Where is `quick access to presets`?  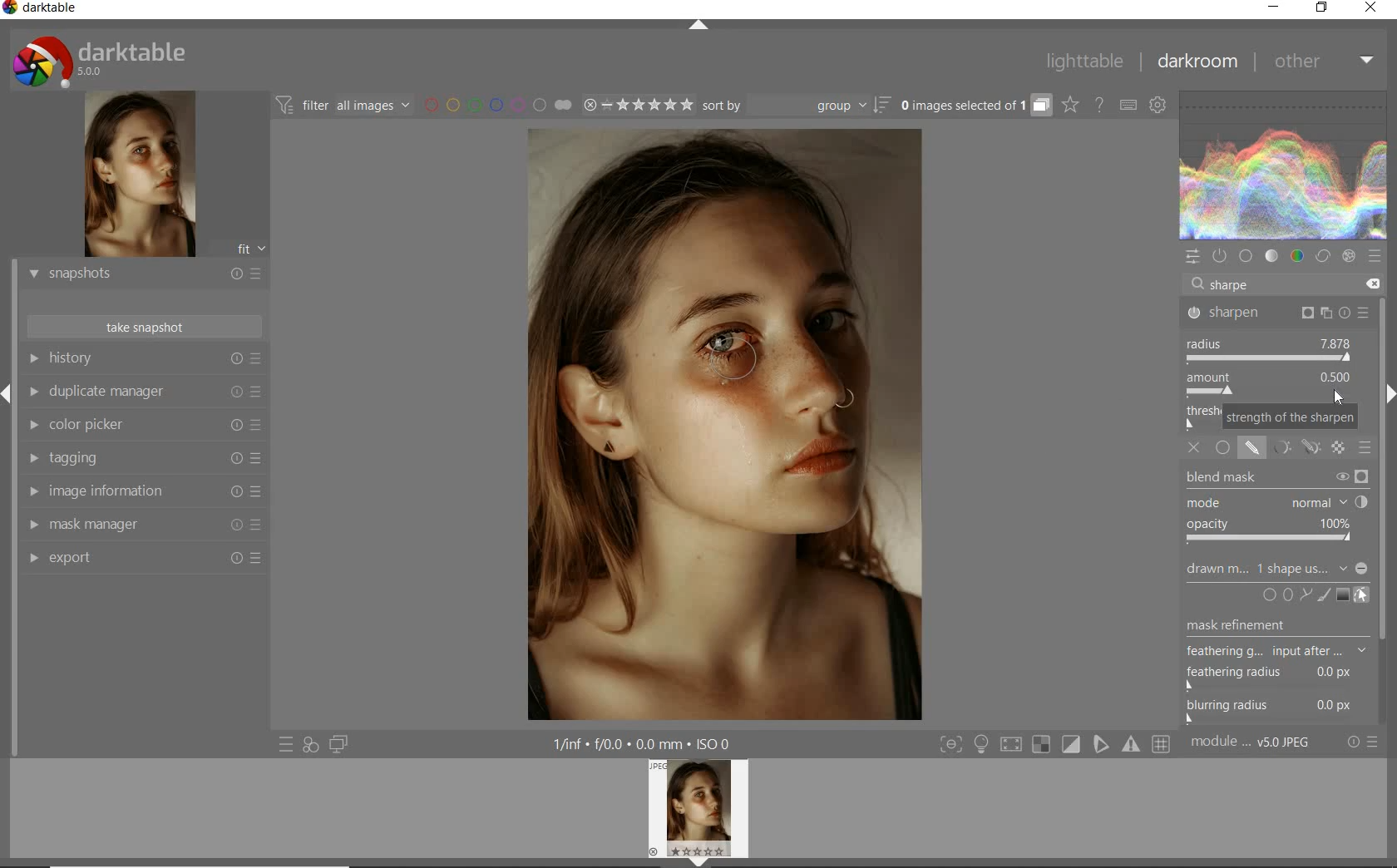 quick access to presets is located at coordinates (287, 743).